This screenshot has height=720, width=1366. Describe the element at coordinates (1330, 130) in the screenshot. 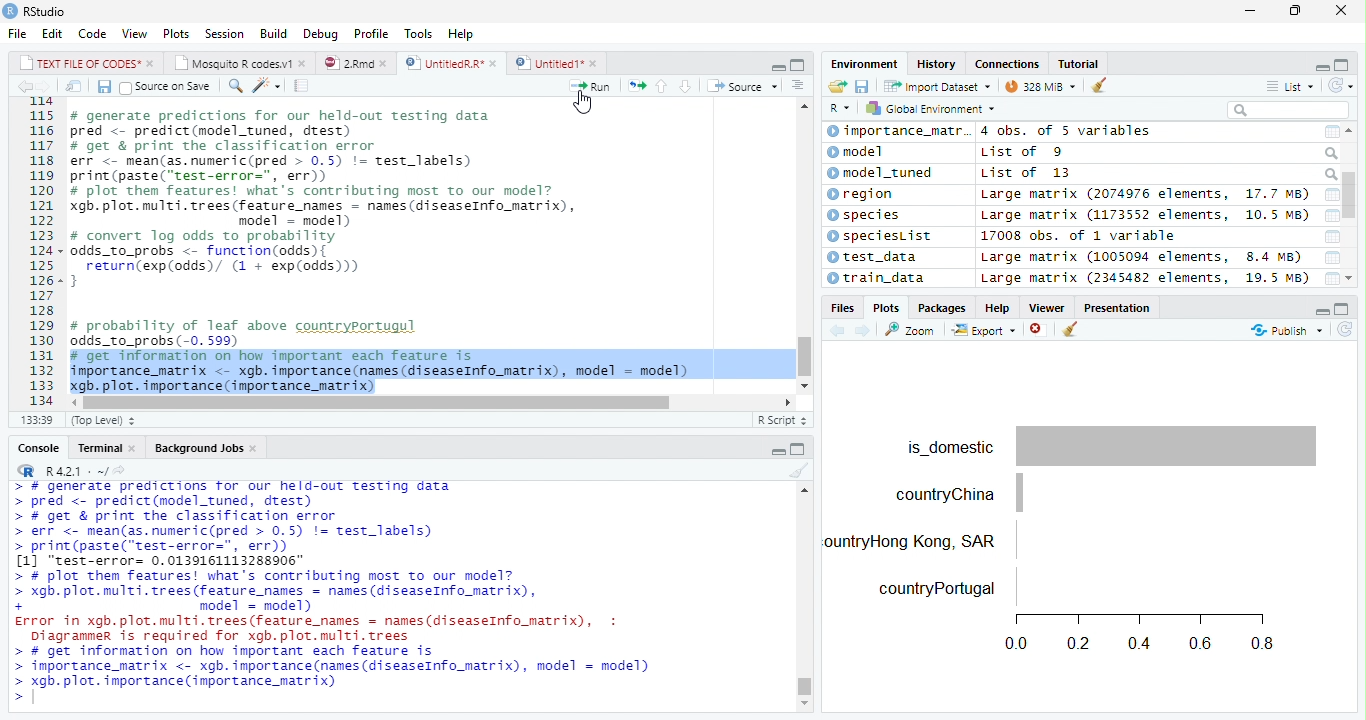

I see `Date` at that location.